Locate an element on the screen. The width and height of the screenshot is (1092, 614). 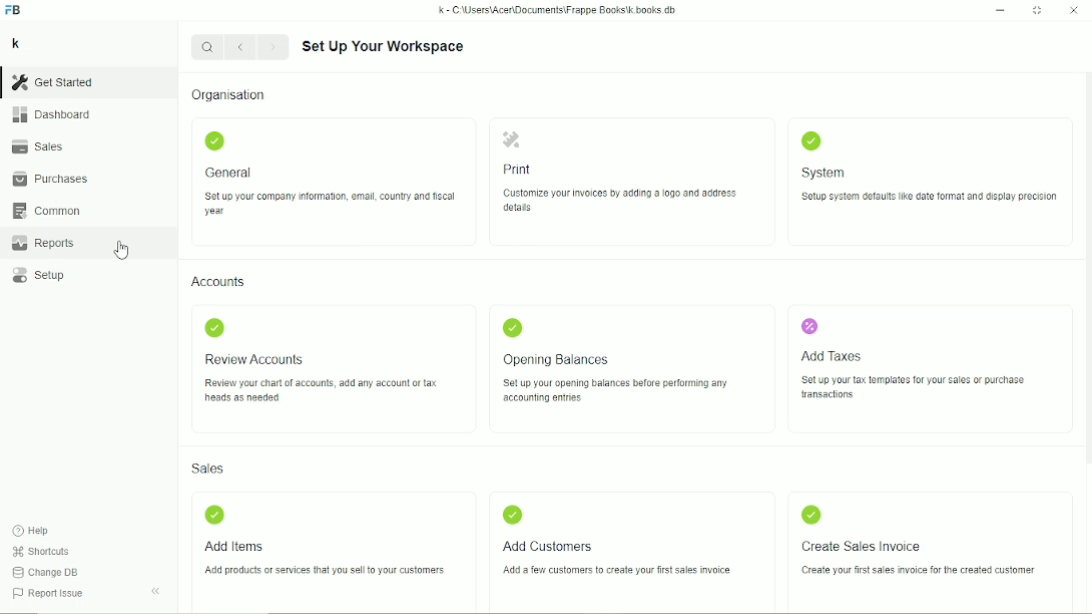
Opening balances  set up your opening balances before performing any accounting entries. is located at coordinates (614, 361).